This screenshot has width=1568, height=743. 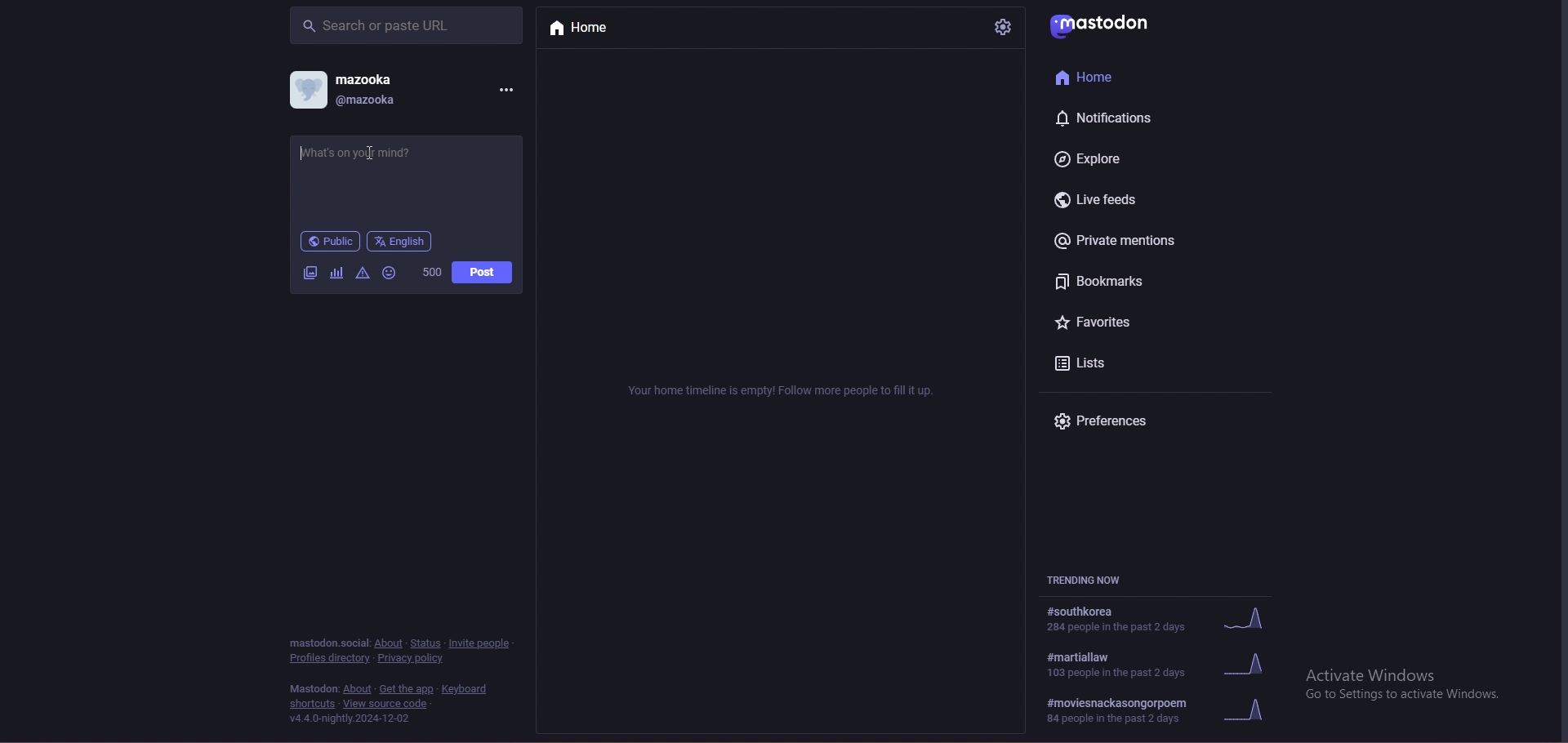 I want to click on mastodon, so click(x=1107, y=25).